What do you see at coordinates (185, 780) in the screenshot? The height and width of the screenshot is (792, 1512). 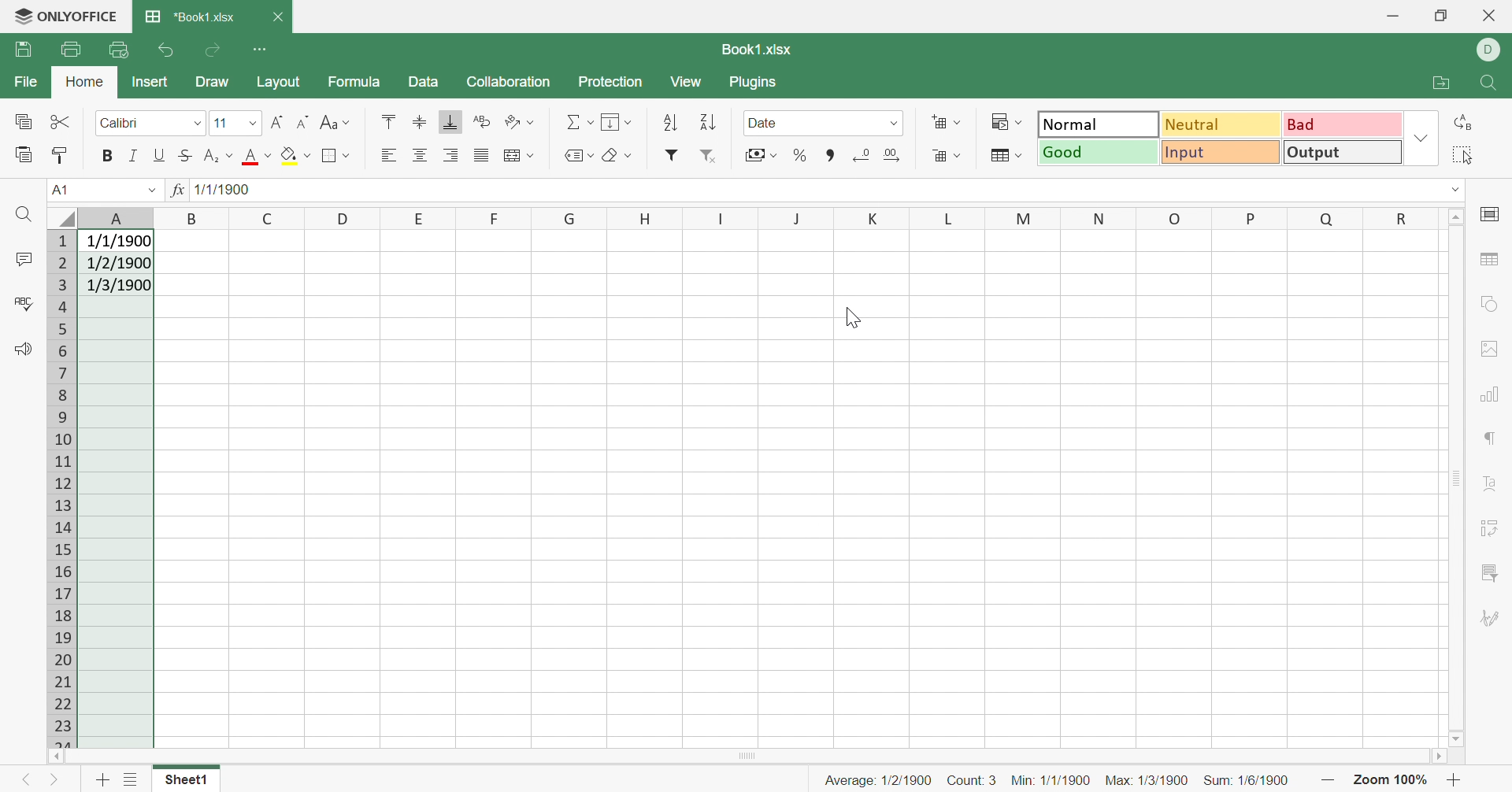 I see `Sheet1` at bounding box center [185, 780].